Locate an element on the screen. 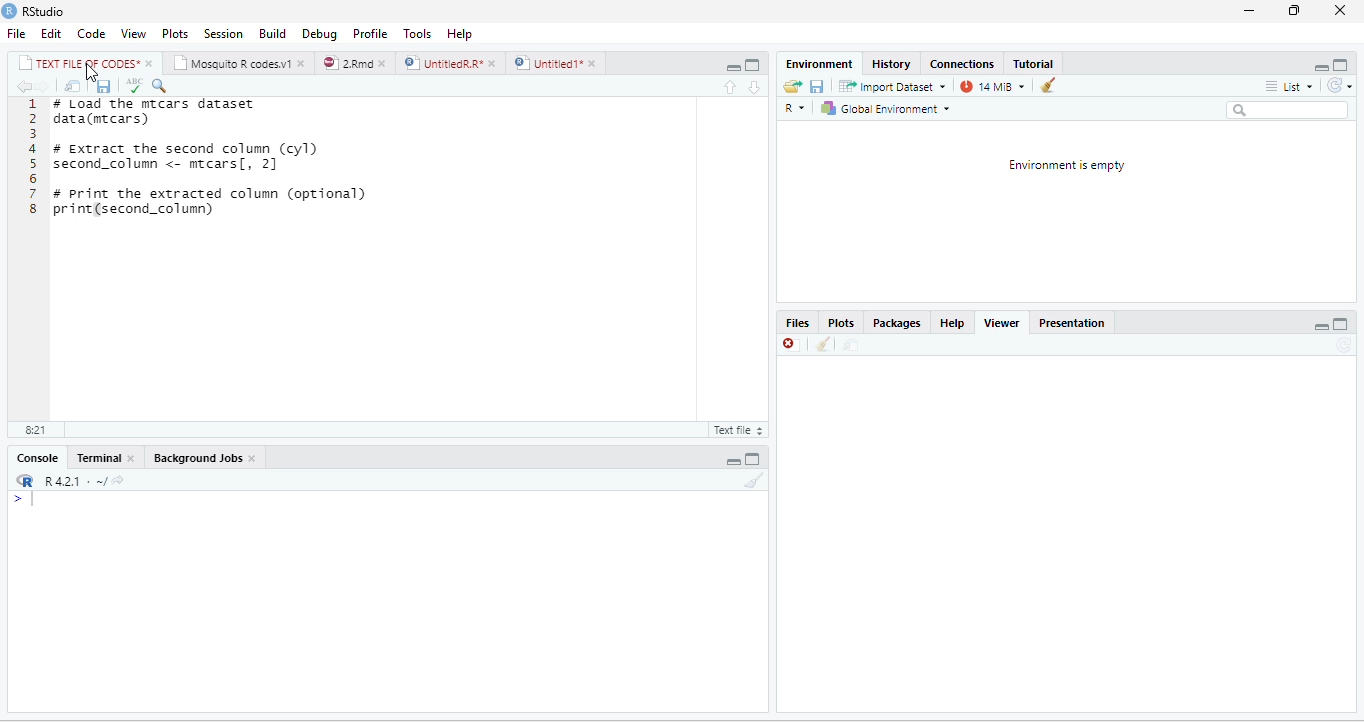 This screenshot has width=1364, height=722. 2 is located at coordinates (33, 119).